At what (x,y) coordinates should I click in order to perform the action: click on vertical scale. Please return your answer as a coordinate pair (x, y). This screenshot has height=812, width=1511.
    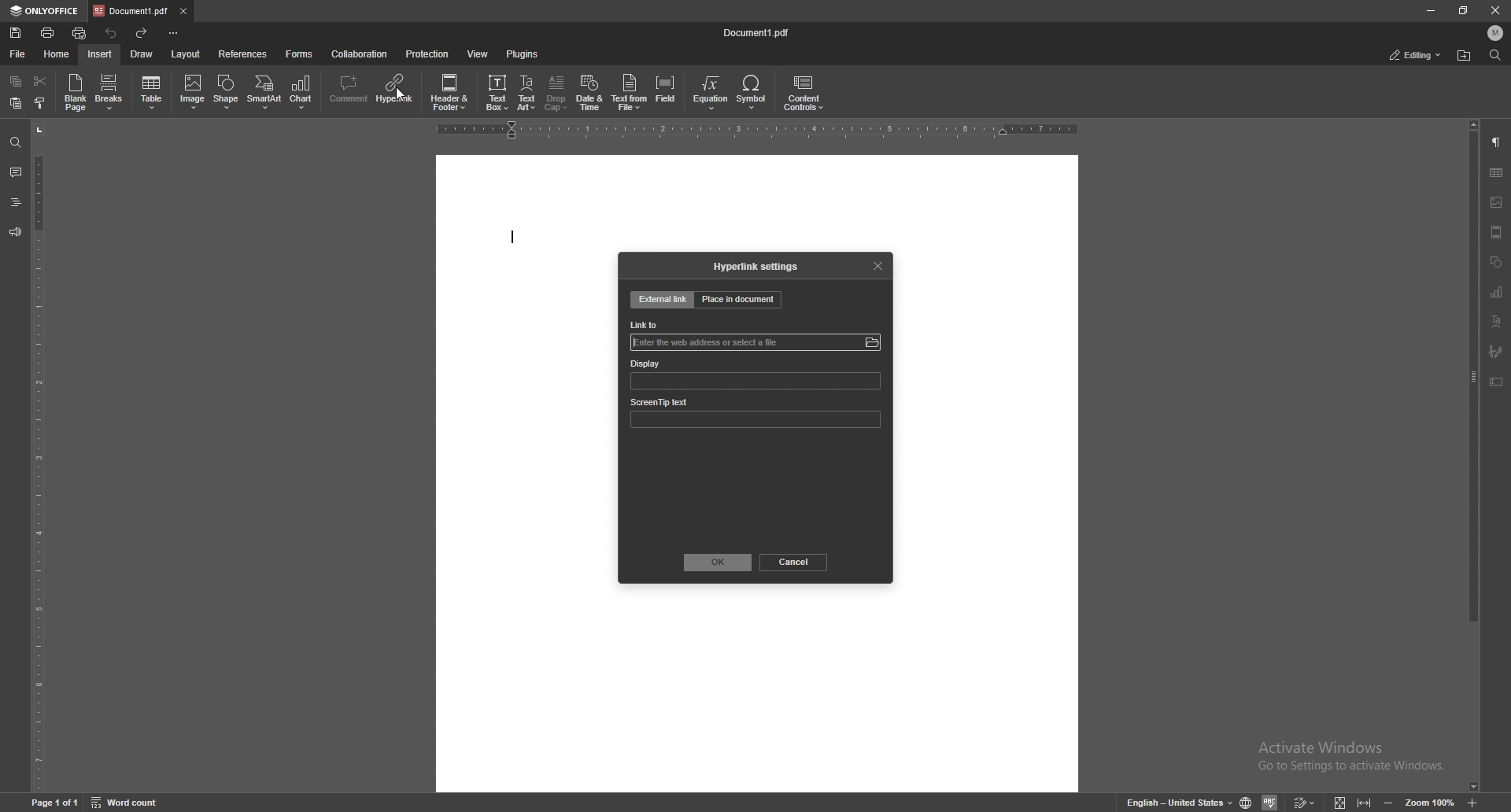
    Looking at the image, I should click on (36, 456).